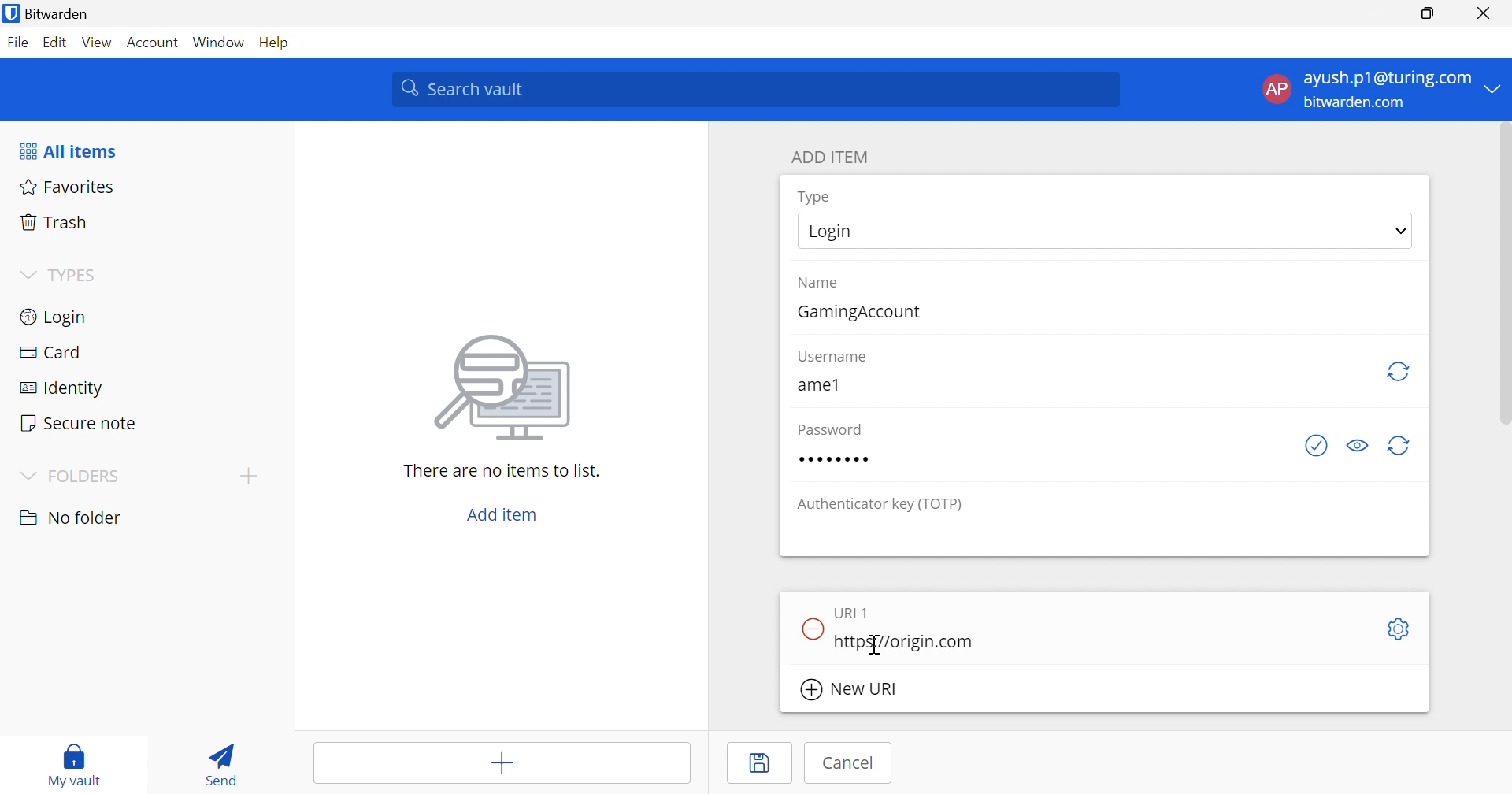 This screenshot has height=794, width=1512. What do you see at coordinates (1429, 14) in the screenshot?
I see `Restore Down` at bounding box center [1429, 14].